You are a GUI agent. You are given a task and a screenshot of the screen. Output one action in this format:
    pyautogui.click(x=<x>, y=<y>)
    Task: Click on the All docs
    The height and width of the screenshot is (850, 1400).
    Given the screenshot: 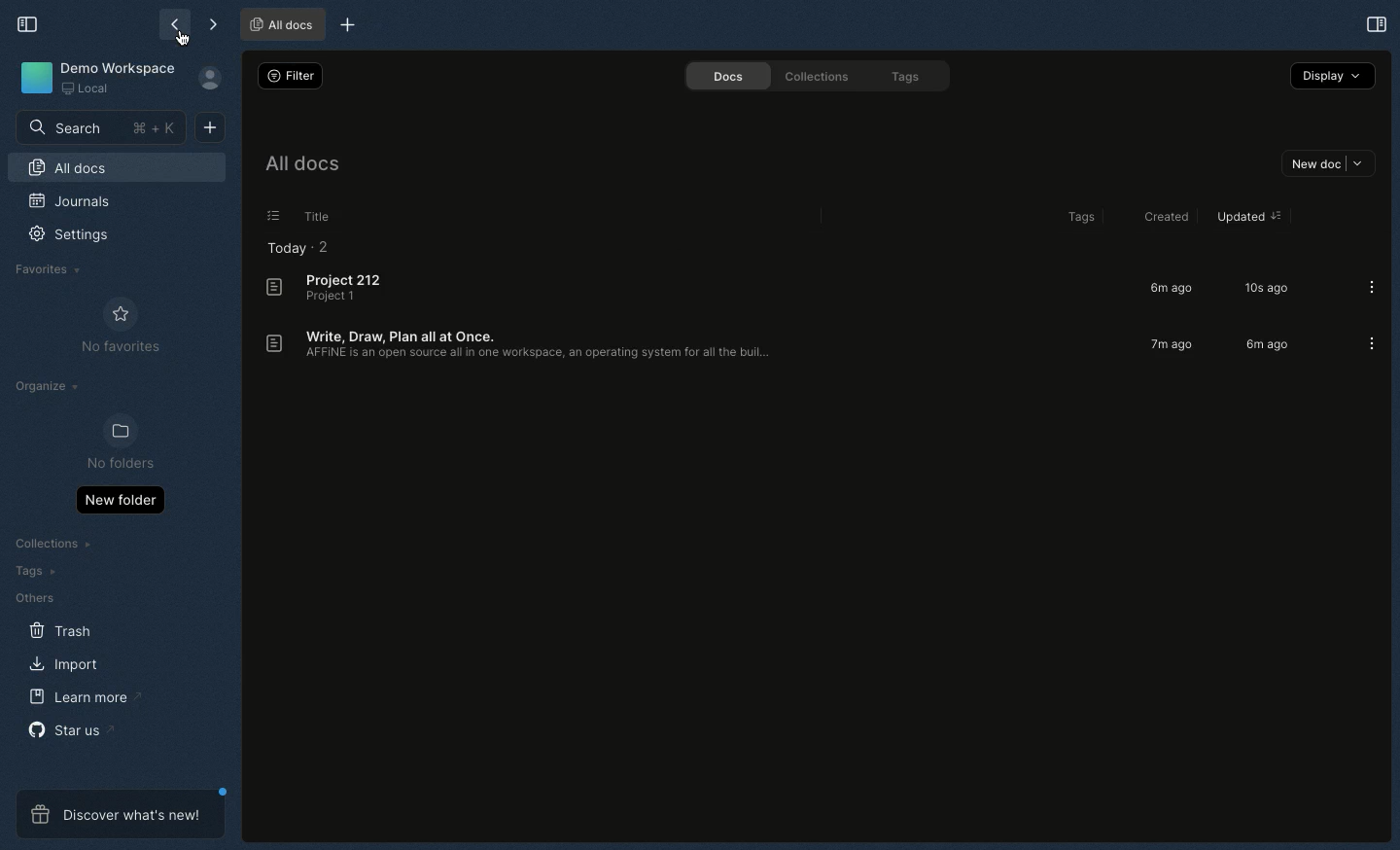 What is the action you would take?
    pyautogui.click(x=313, y=163)
    